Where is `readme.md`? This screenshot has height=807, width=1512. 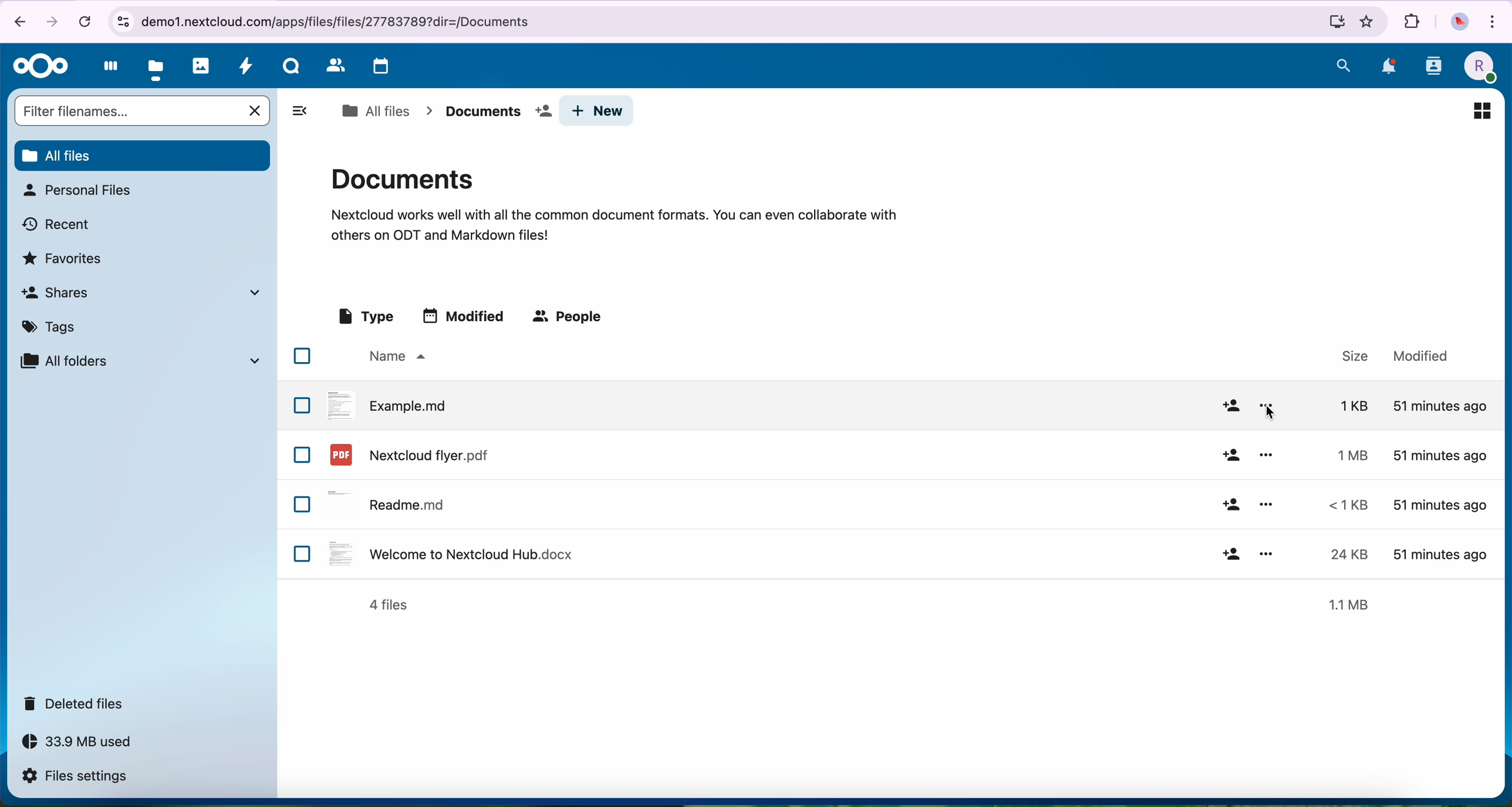 readme.md is located at coordinates (390, 502).